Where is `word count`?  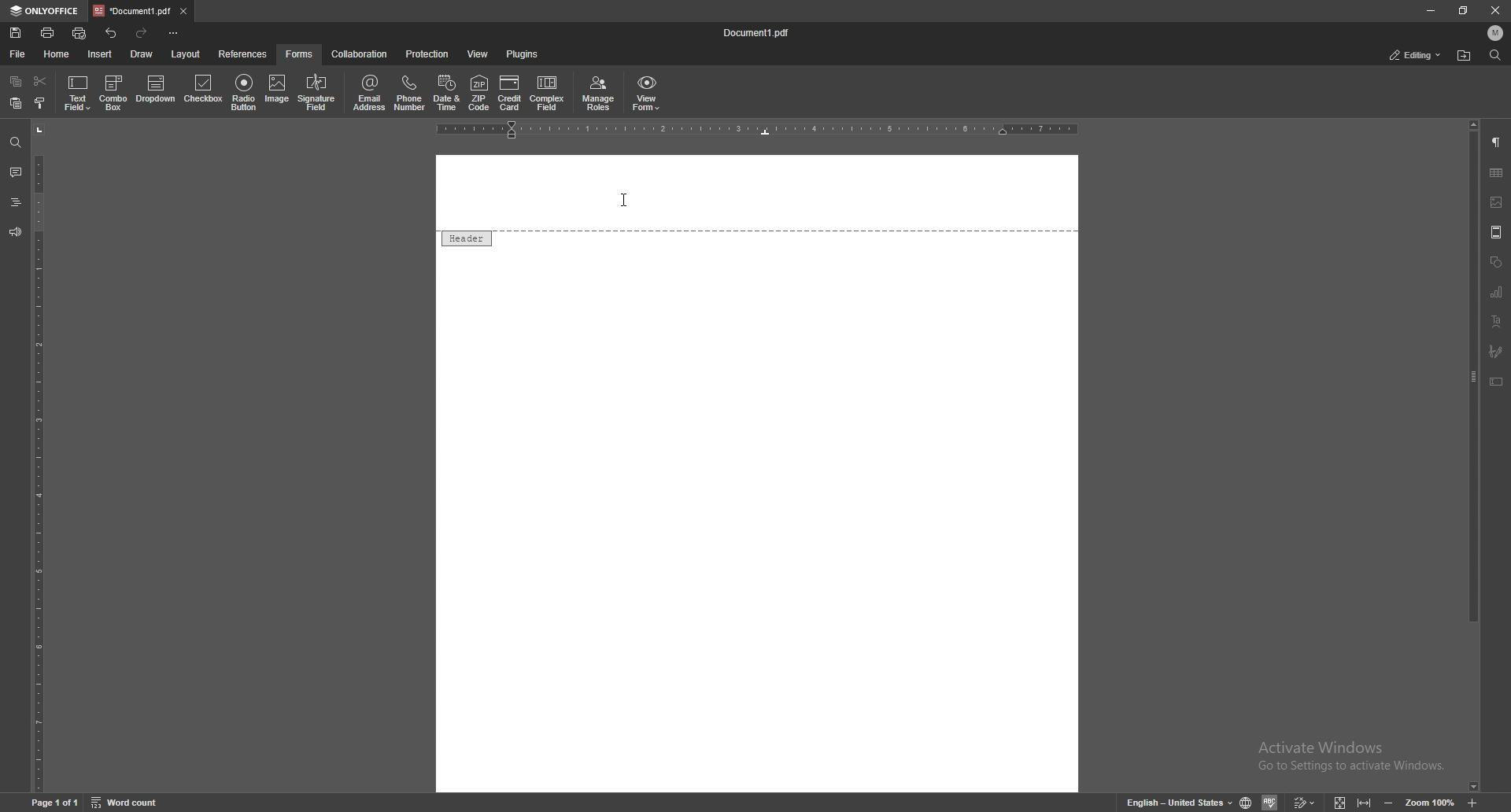
word count is located at coordinates (127, 803).